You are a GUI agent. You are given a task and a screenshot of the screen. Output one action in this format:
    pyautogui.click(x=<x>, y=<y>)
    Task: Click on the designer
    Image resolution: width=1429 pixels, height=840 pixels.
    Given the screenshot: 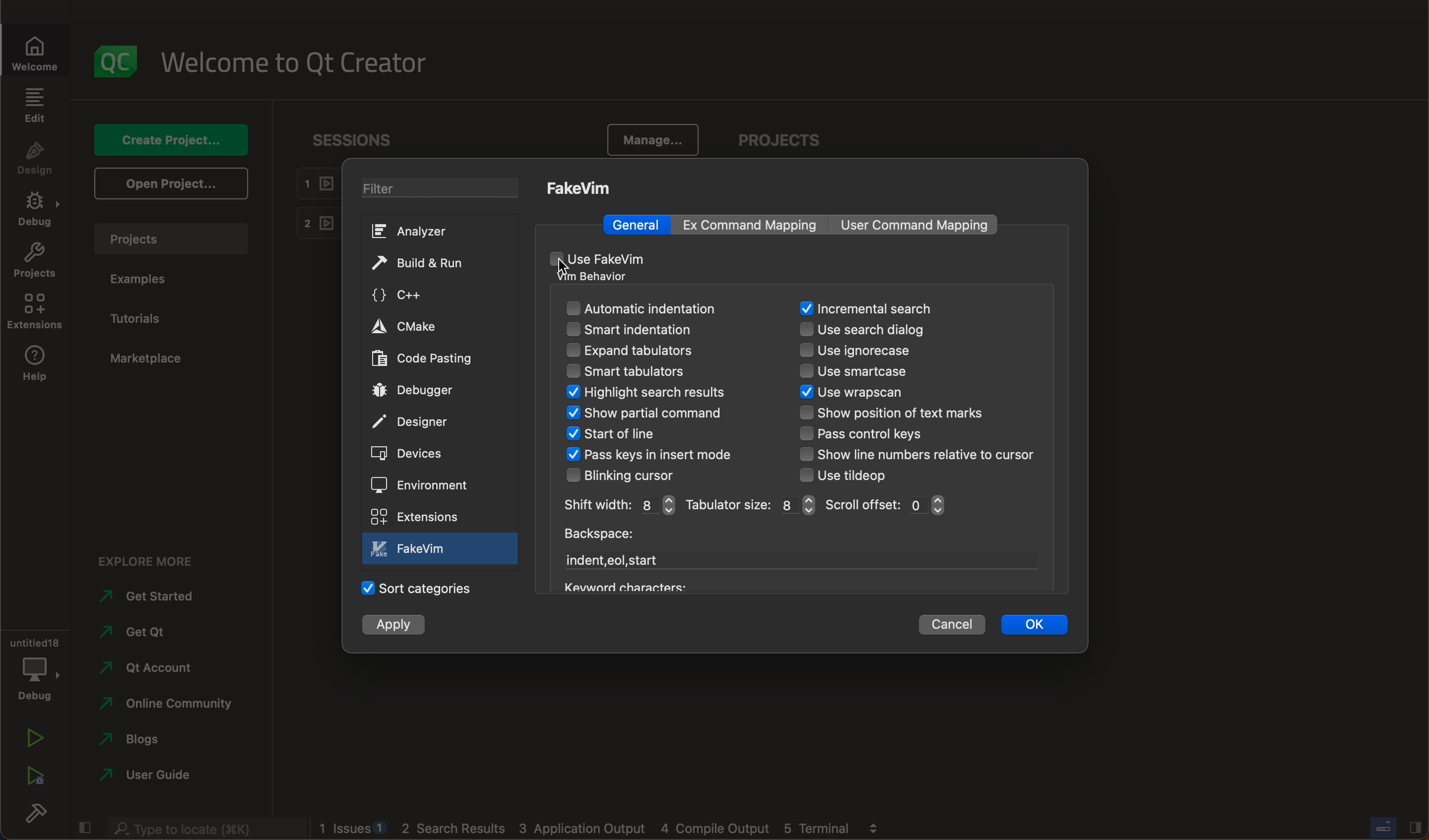 What is the action you would take?
    pyautogui.click(x=417, y=422)
    